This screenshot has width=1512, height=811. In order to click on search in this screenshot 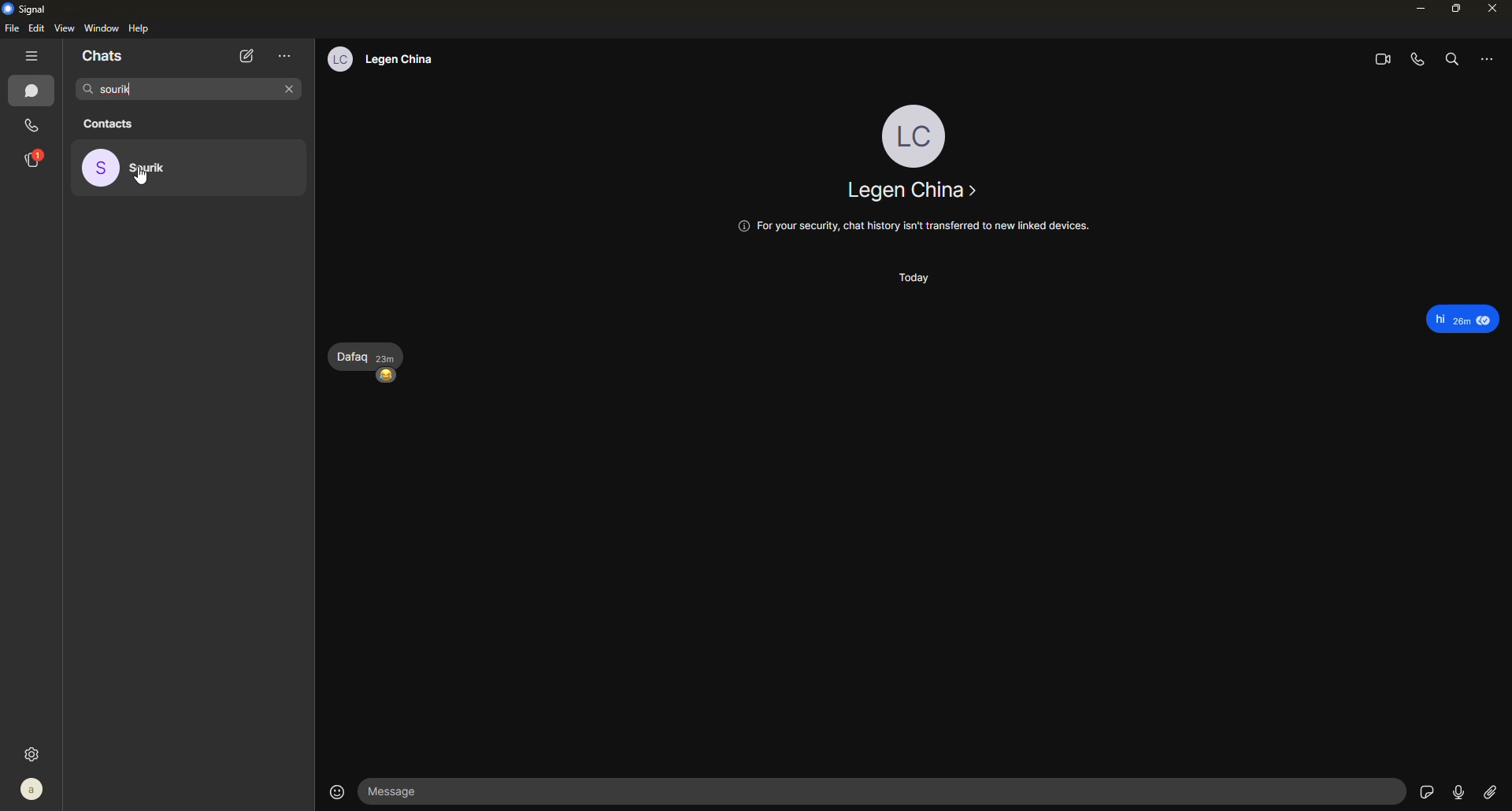, I will do `click(1452, 60)`.